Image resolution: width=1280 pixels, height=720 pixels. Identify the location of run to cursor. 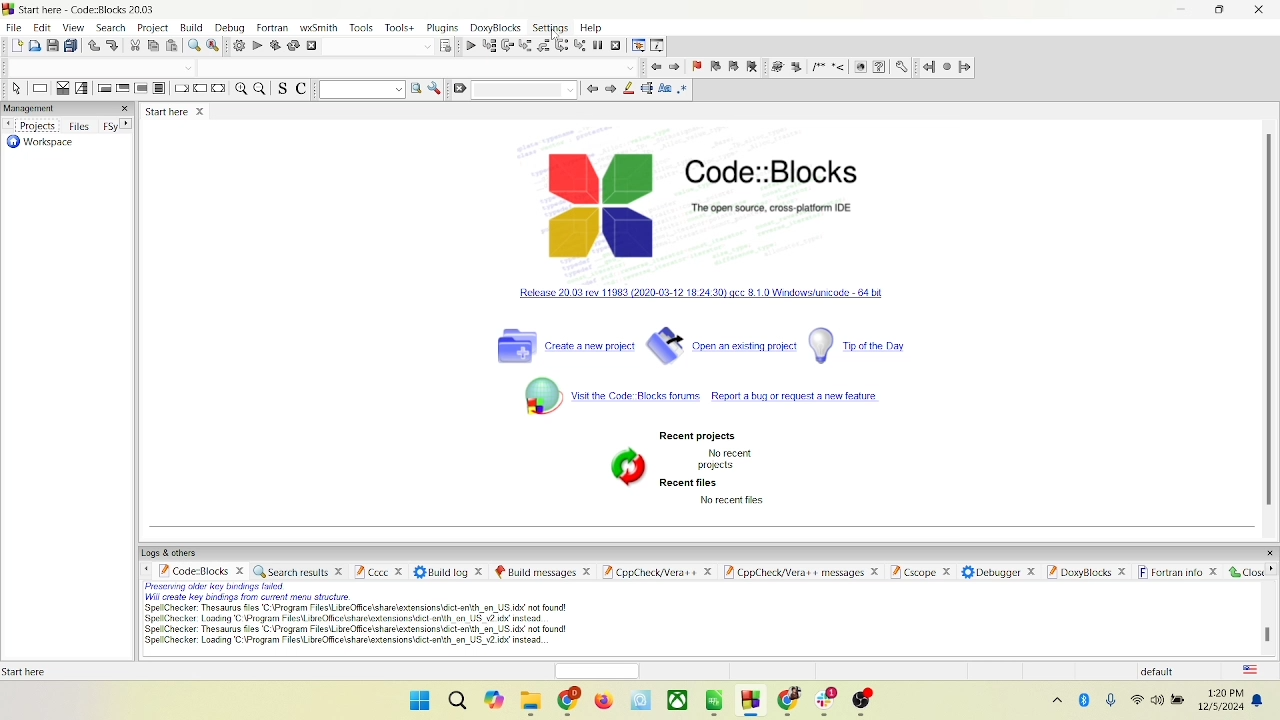
(490, 45).